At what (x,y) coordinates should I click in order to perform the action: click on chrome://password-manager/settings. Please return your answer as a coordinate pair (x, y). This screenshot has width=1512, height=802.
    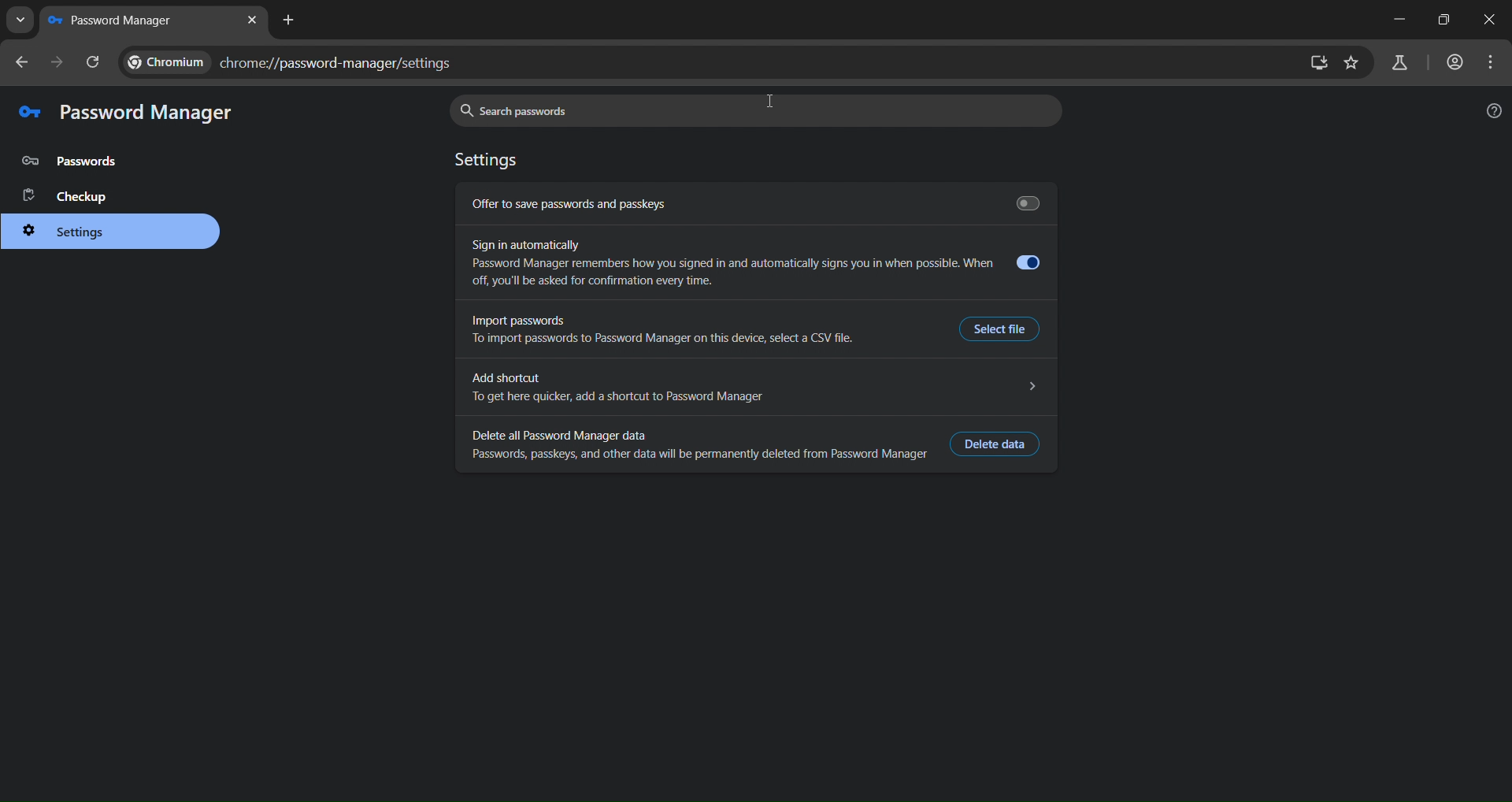
    Looking at the image, I should click on (297, 61).